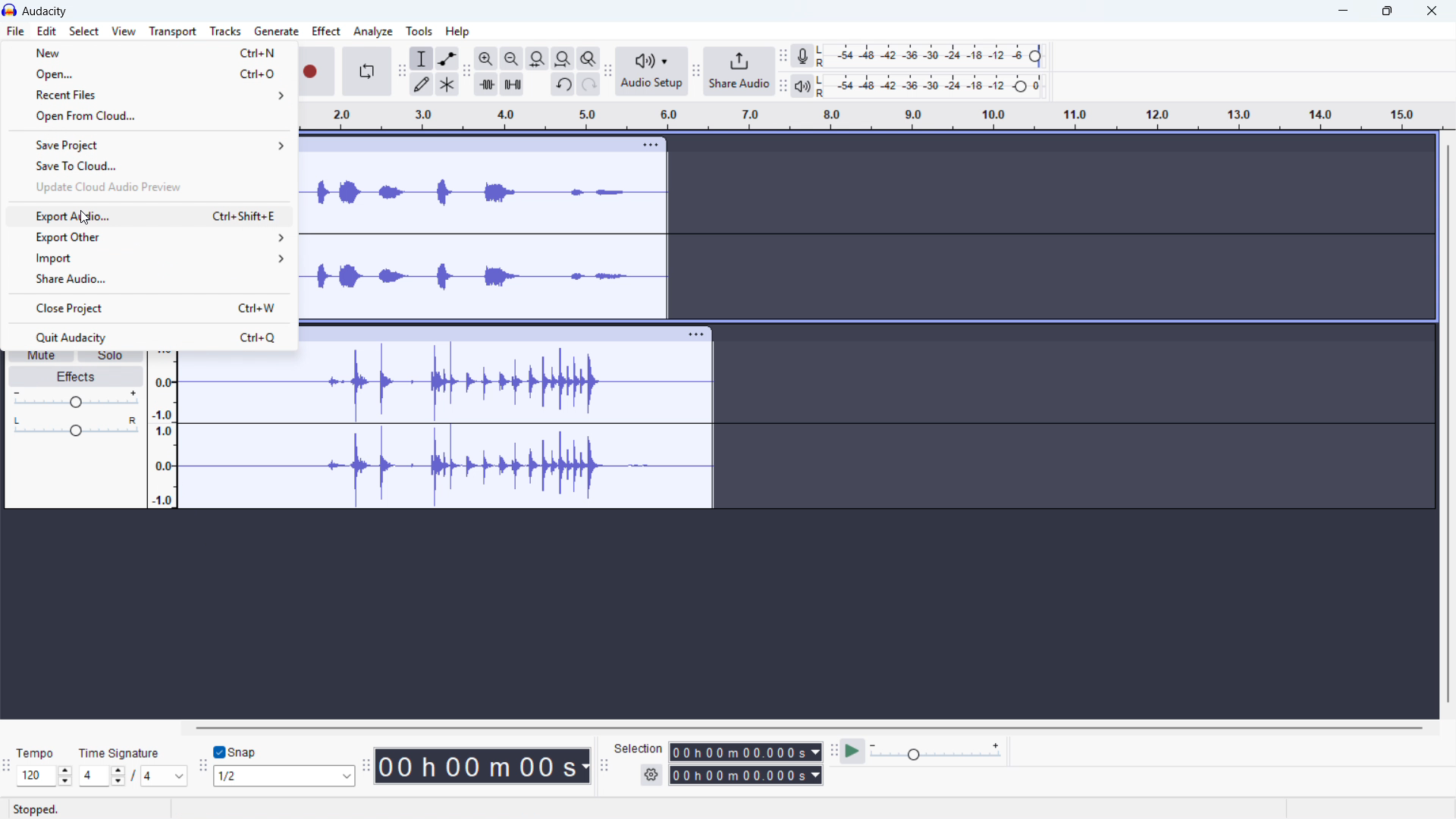 The height and width of the screenshot is (819, 1456). Describe the element at coordinates (203, 769) in the screenshot. I see `Snapping toolbar` at that location.